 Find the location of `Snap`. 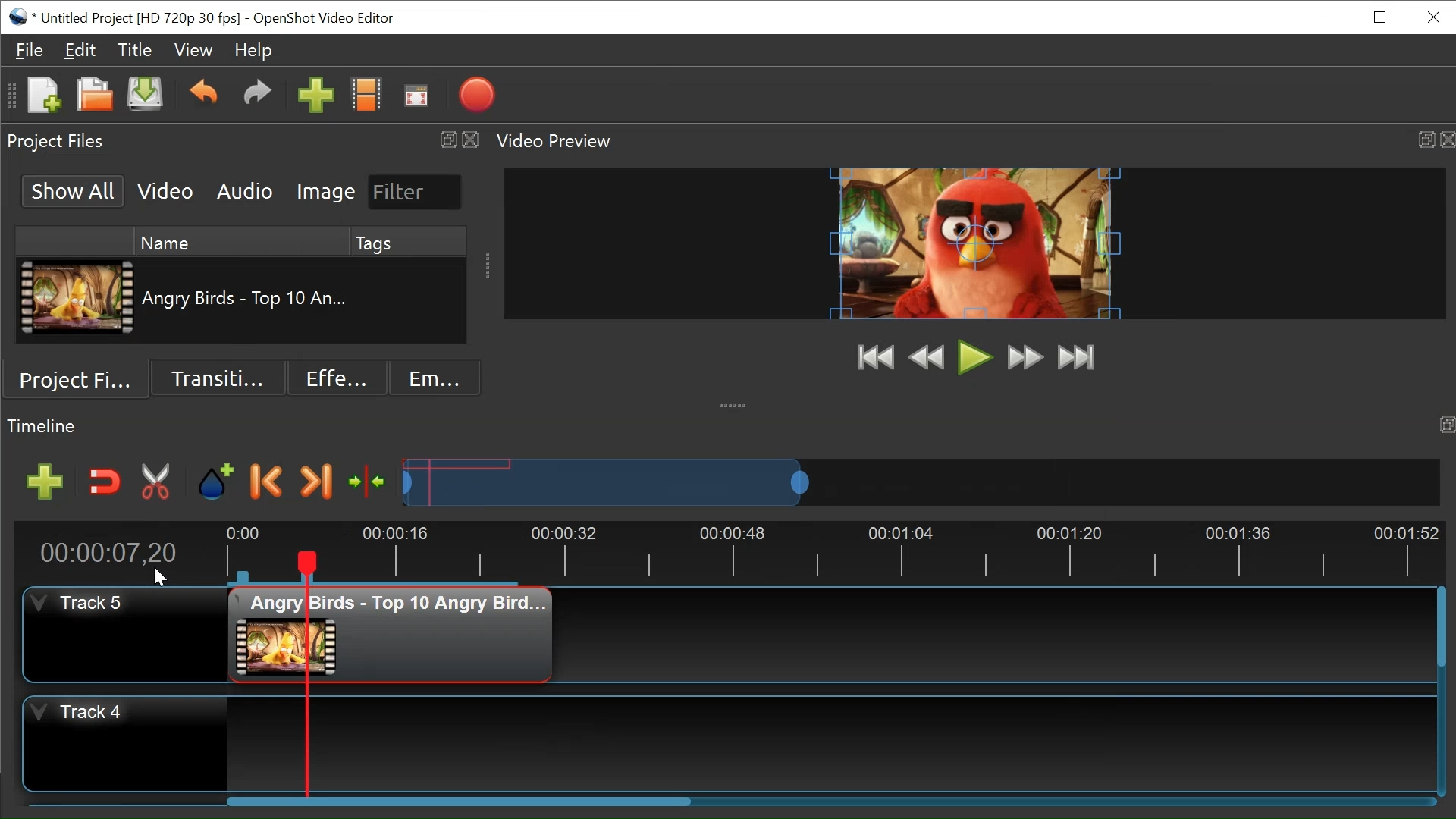

Snap is located at coordinates (104, 482).